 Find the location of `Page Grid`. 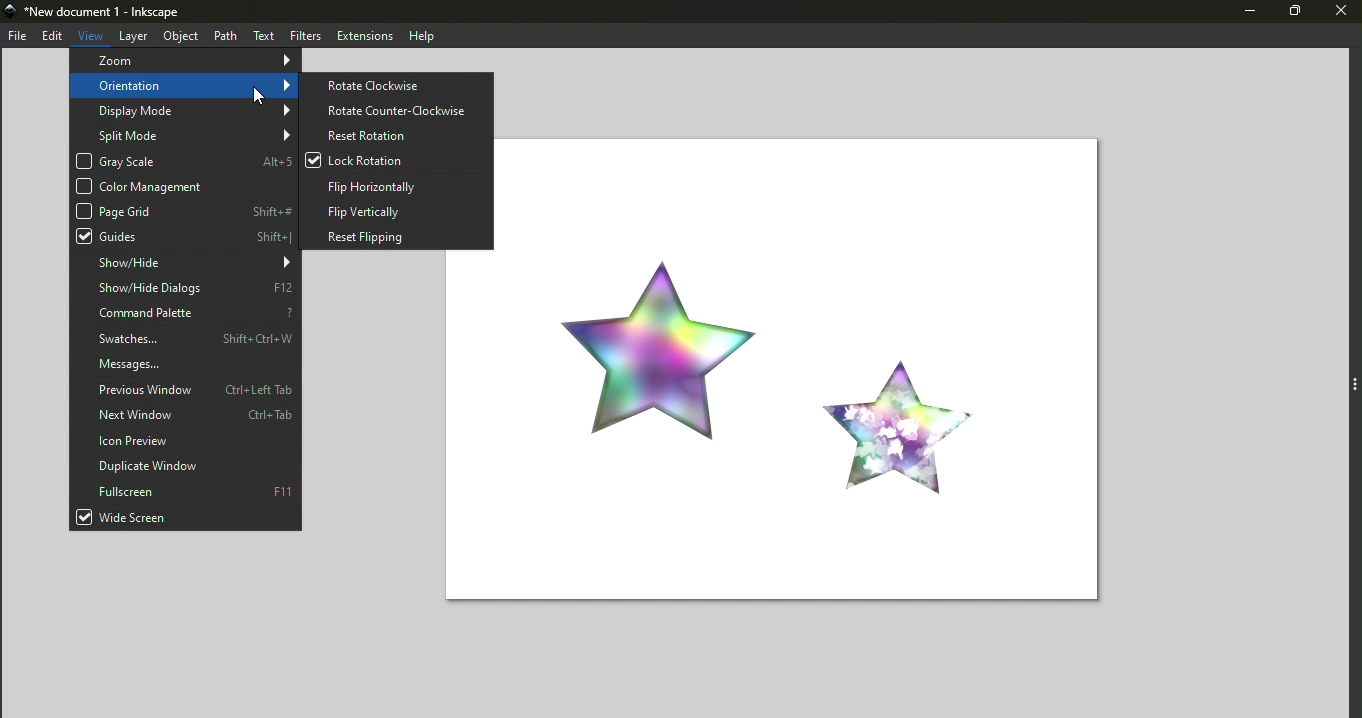

Page Grid is located at coordinates (185, 210).